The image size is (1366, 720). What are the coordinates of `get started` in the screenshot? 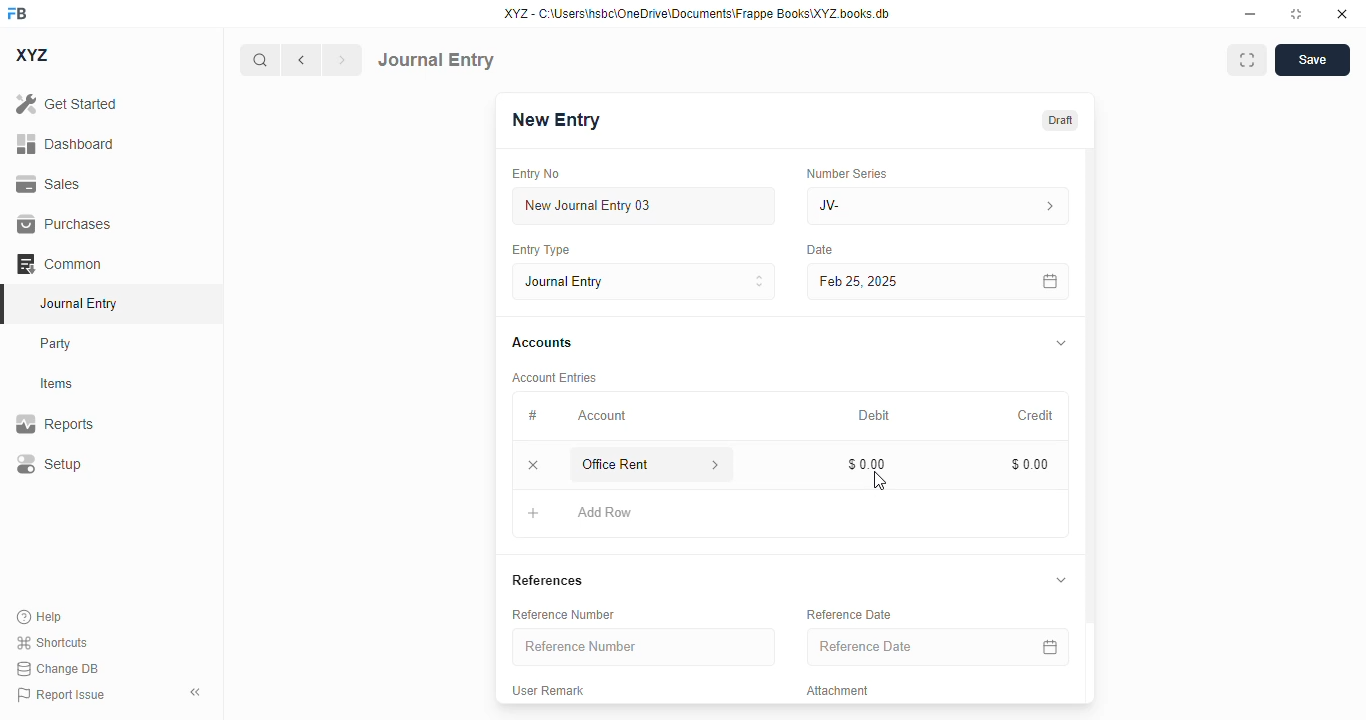 It's located at (66, 103).